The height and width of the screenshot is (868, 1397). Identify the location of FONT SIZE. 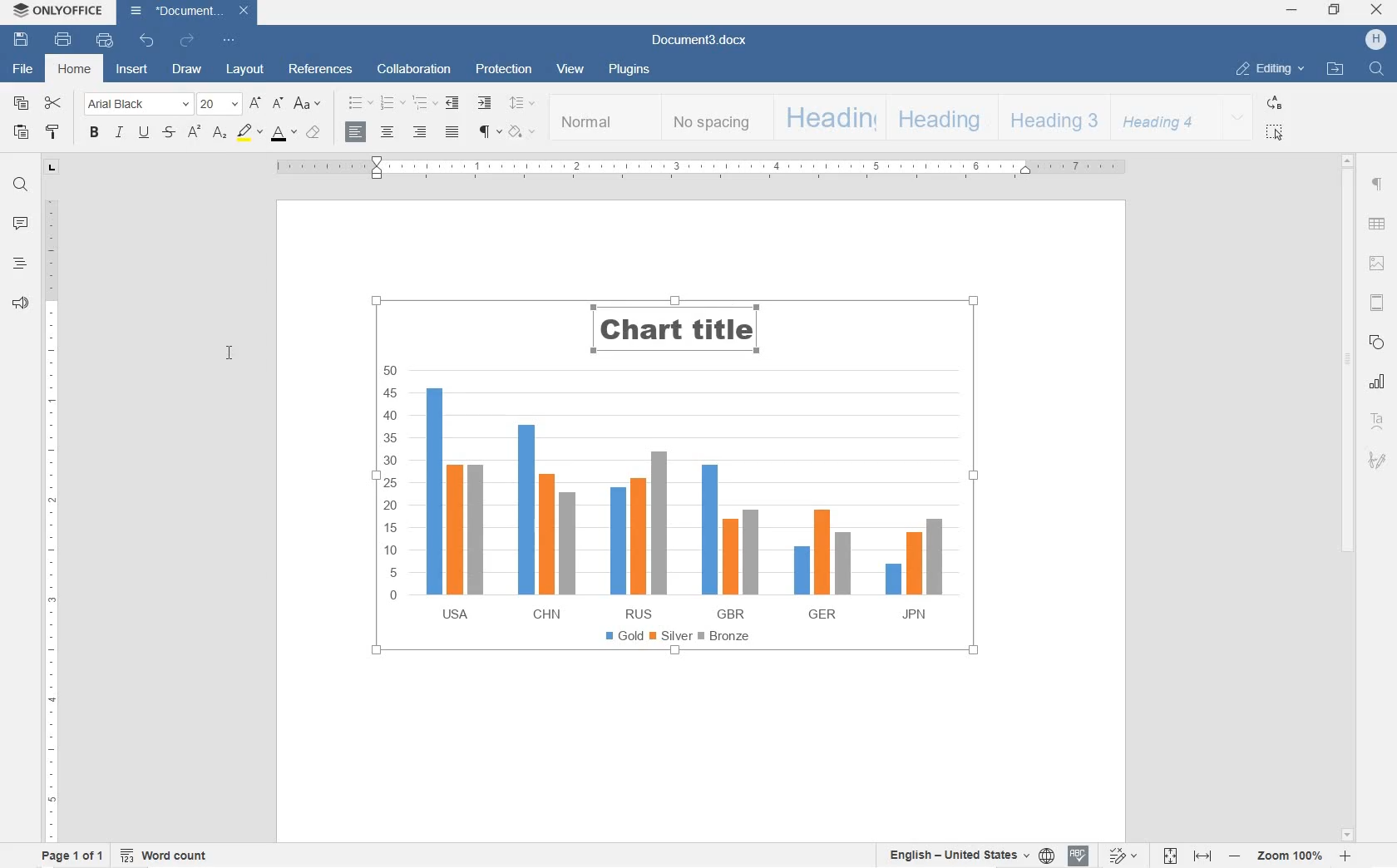
(220, 104).